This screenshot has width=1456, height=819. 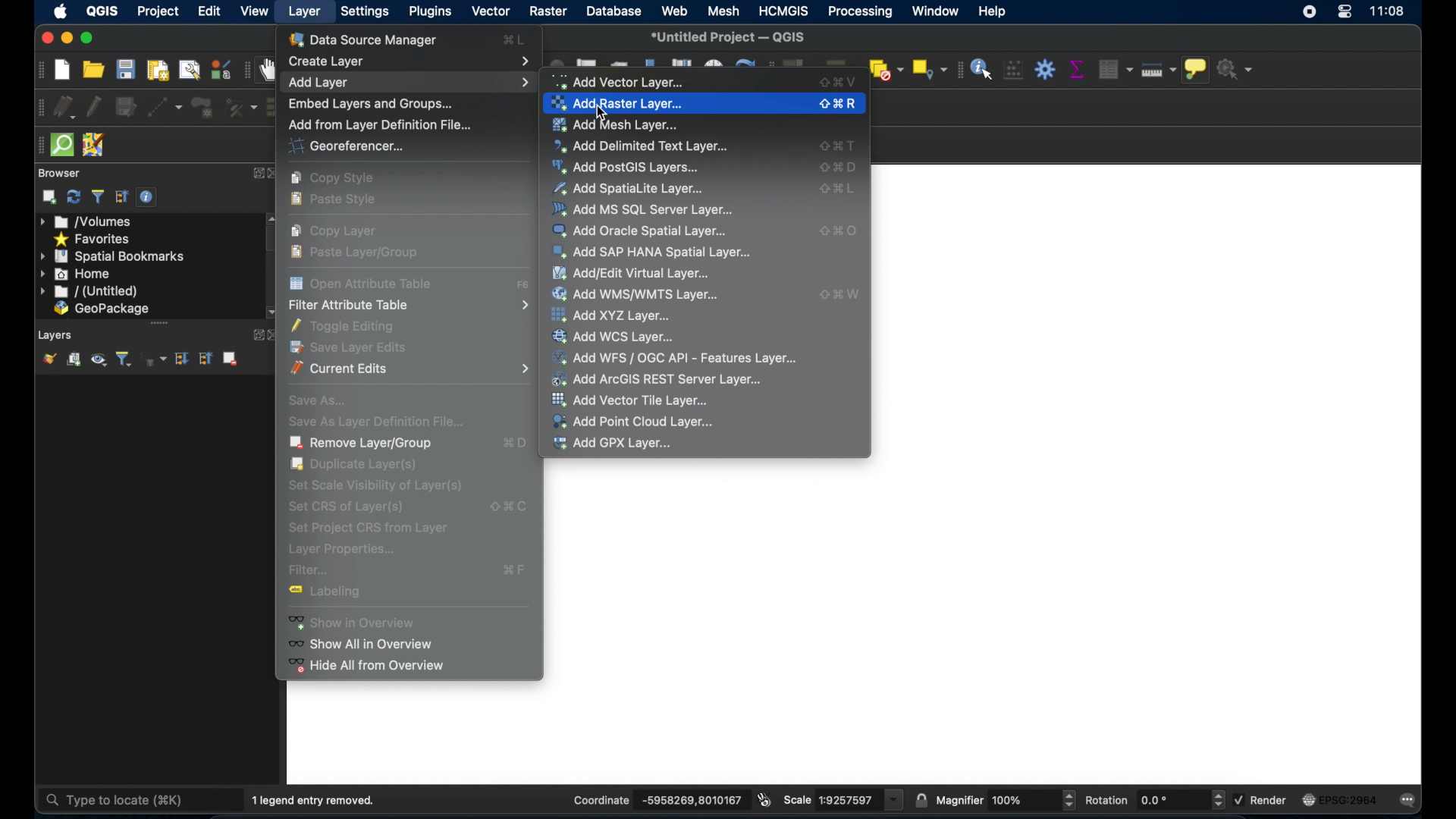 I want to click on add from layer definition file, so click(x=378, y=124).